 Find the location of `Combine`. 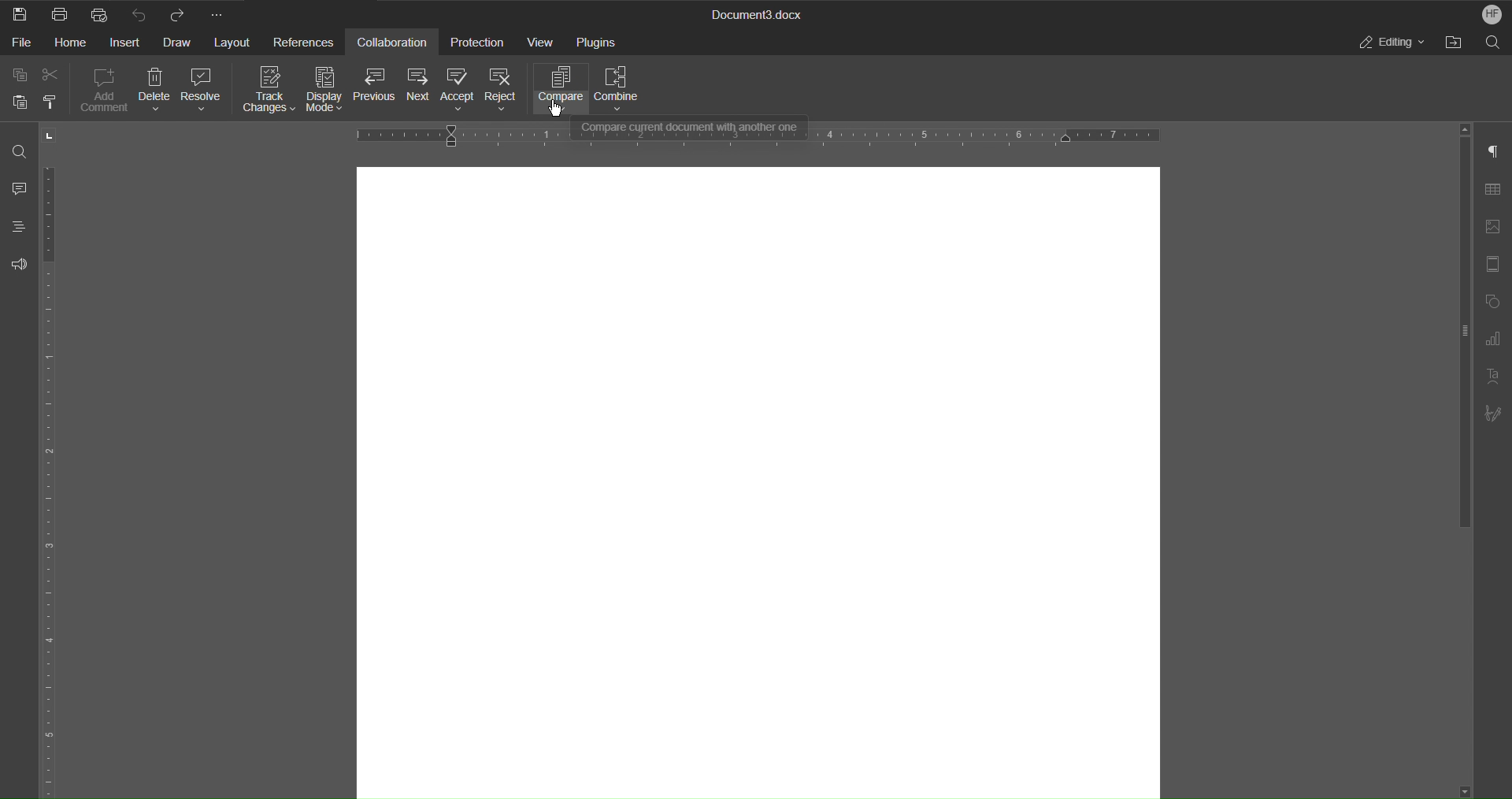

Combine is located at coordinates (618, 87).